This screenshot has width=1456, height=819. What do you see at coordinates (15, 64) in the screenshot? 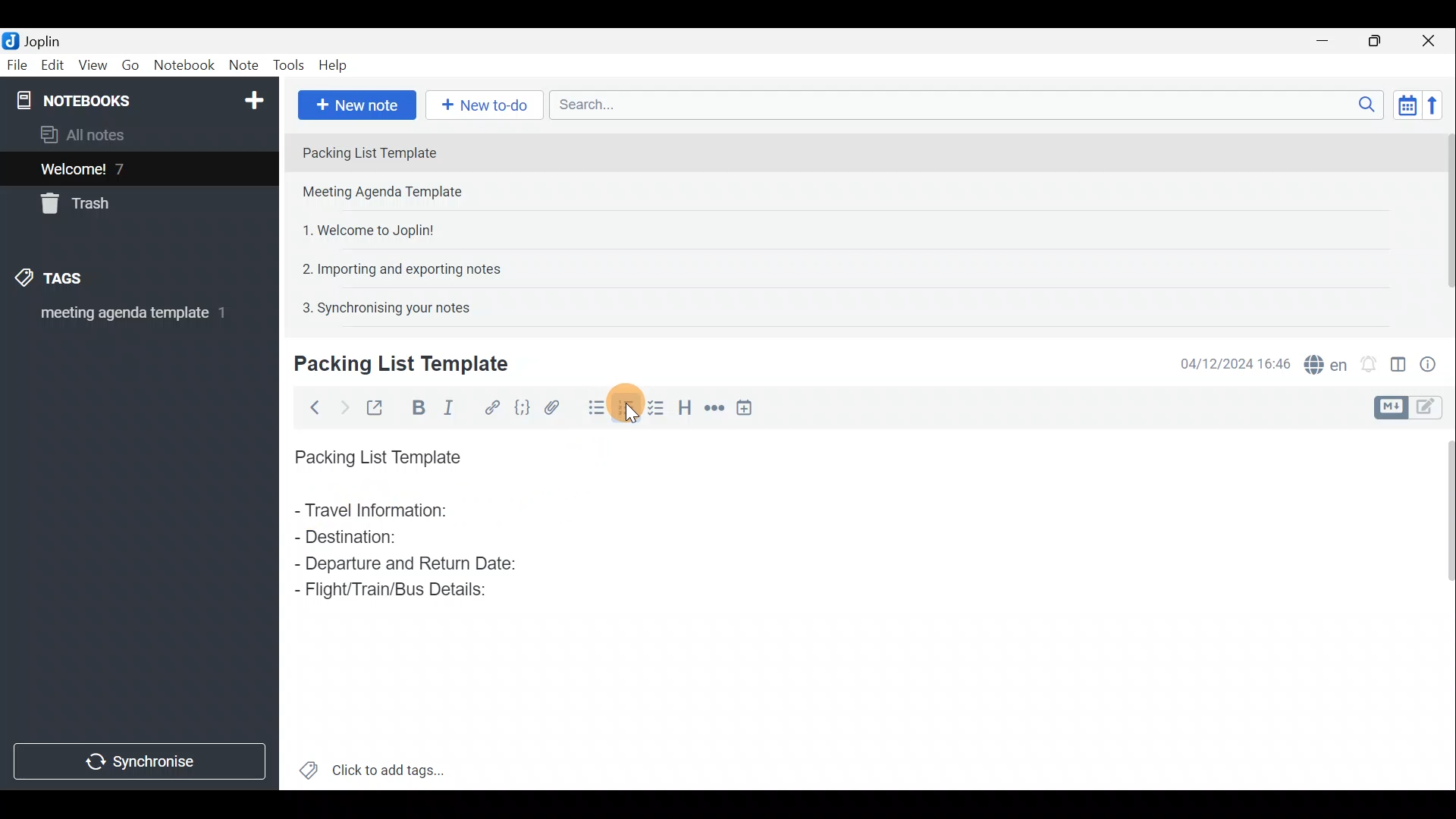
I see `File` at bounding box center [15, 64].